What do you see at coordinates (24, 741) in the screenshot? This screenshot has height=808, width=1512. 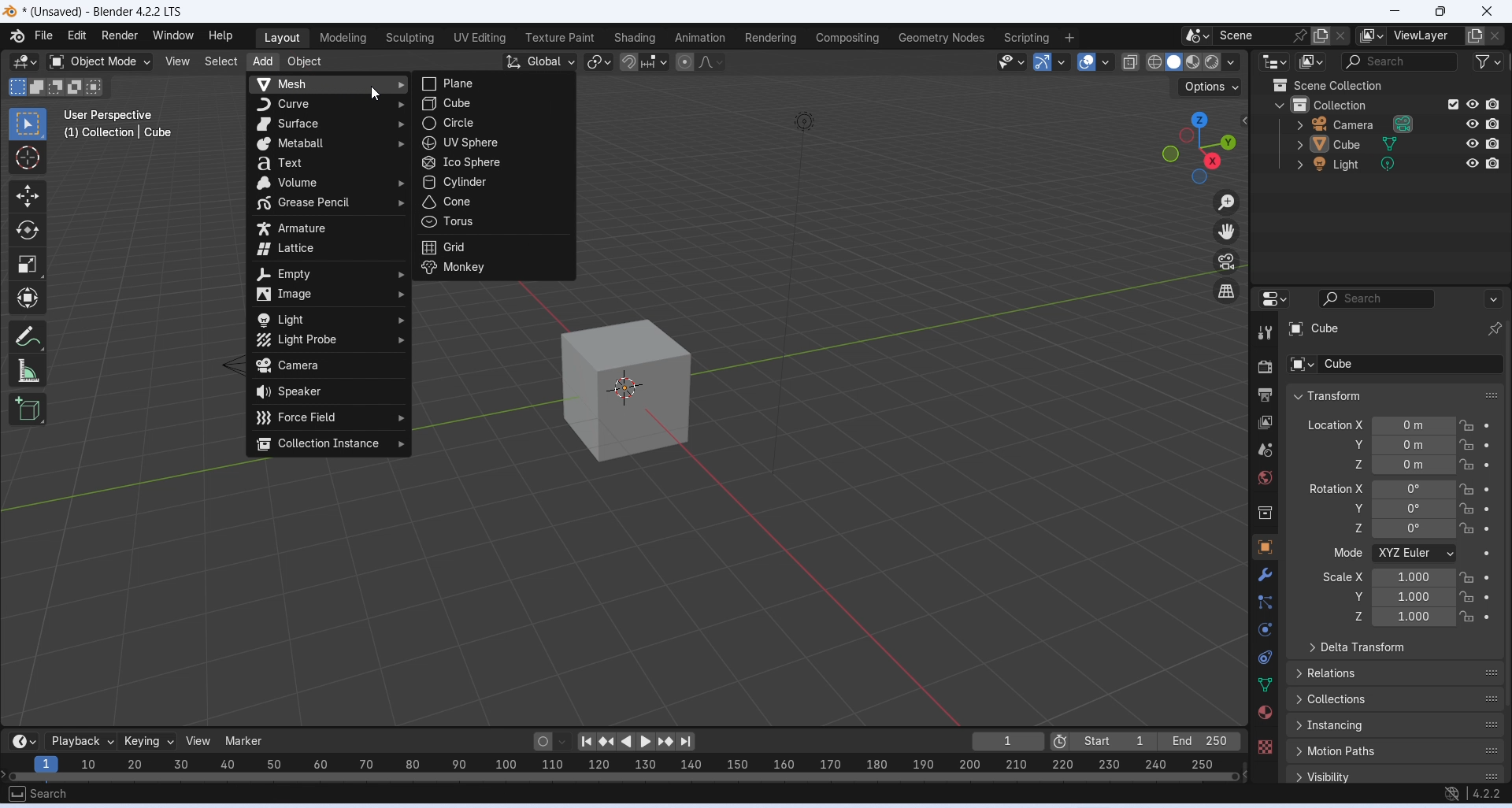 I see `timer` at bounding box center [24, 741].